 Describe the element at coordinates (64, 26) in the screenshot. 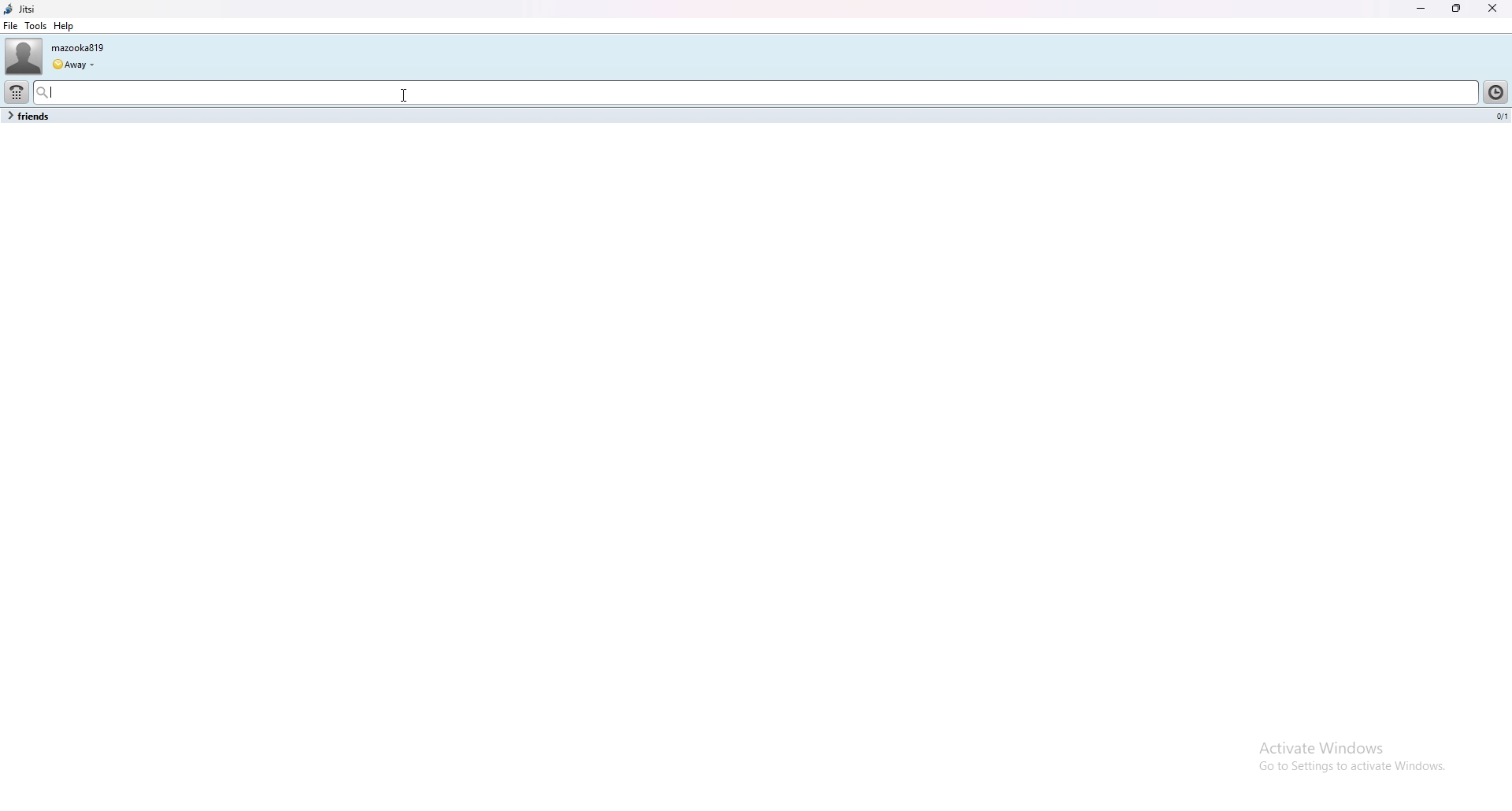

I see `help` at that location.